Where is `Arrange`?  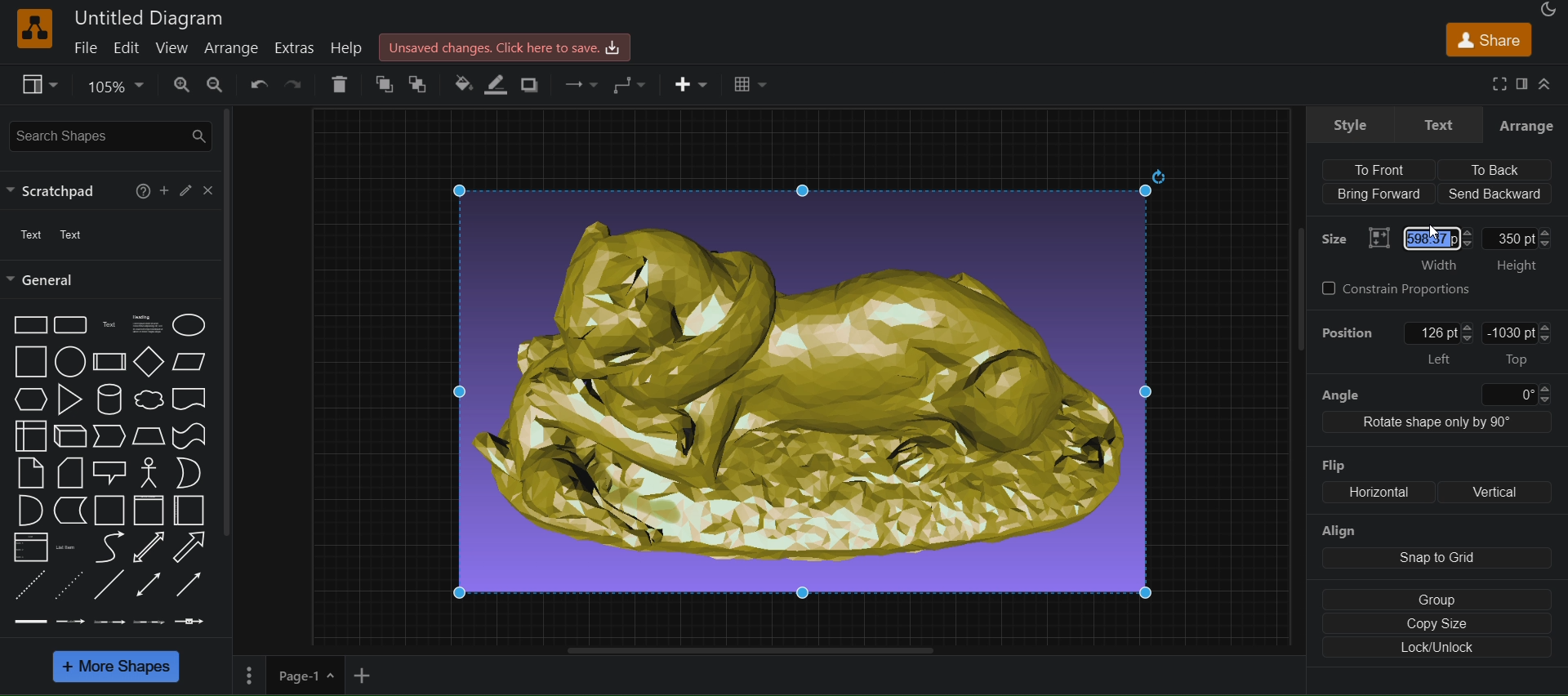
Arrange is located at coordinates (1527, 125).